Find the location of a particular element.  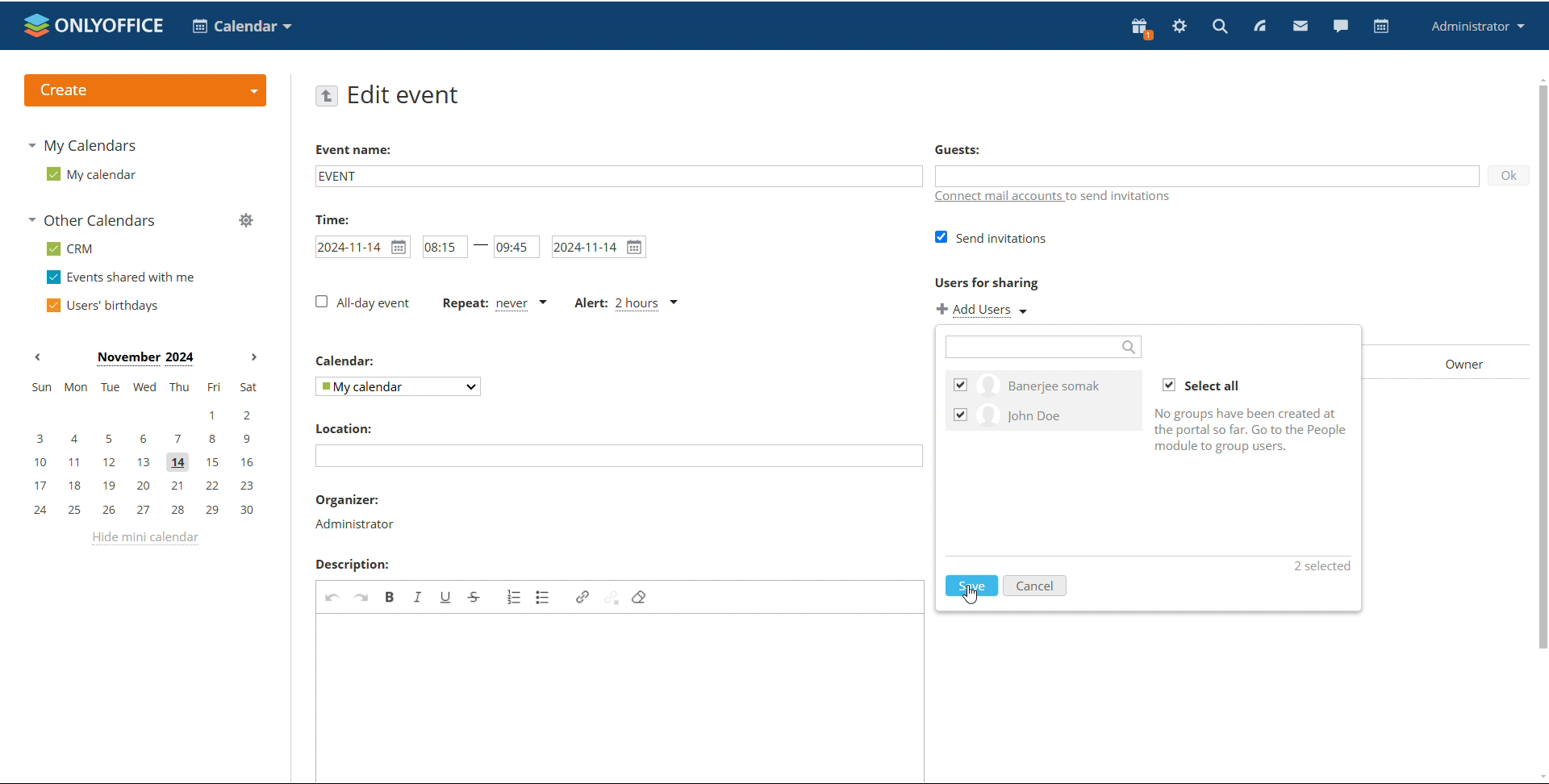

current month is located at coordinates (144, 359).